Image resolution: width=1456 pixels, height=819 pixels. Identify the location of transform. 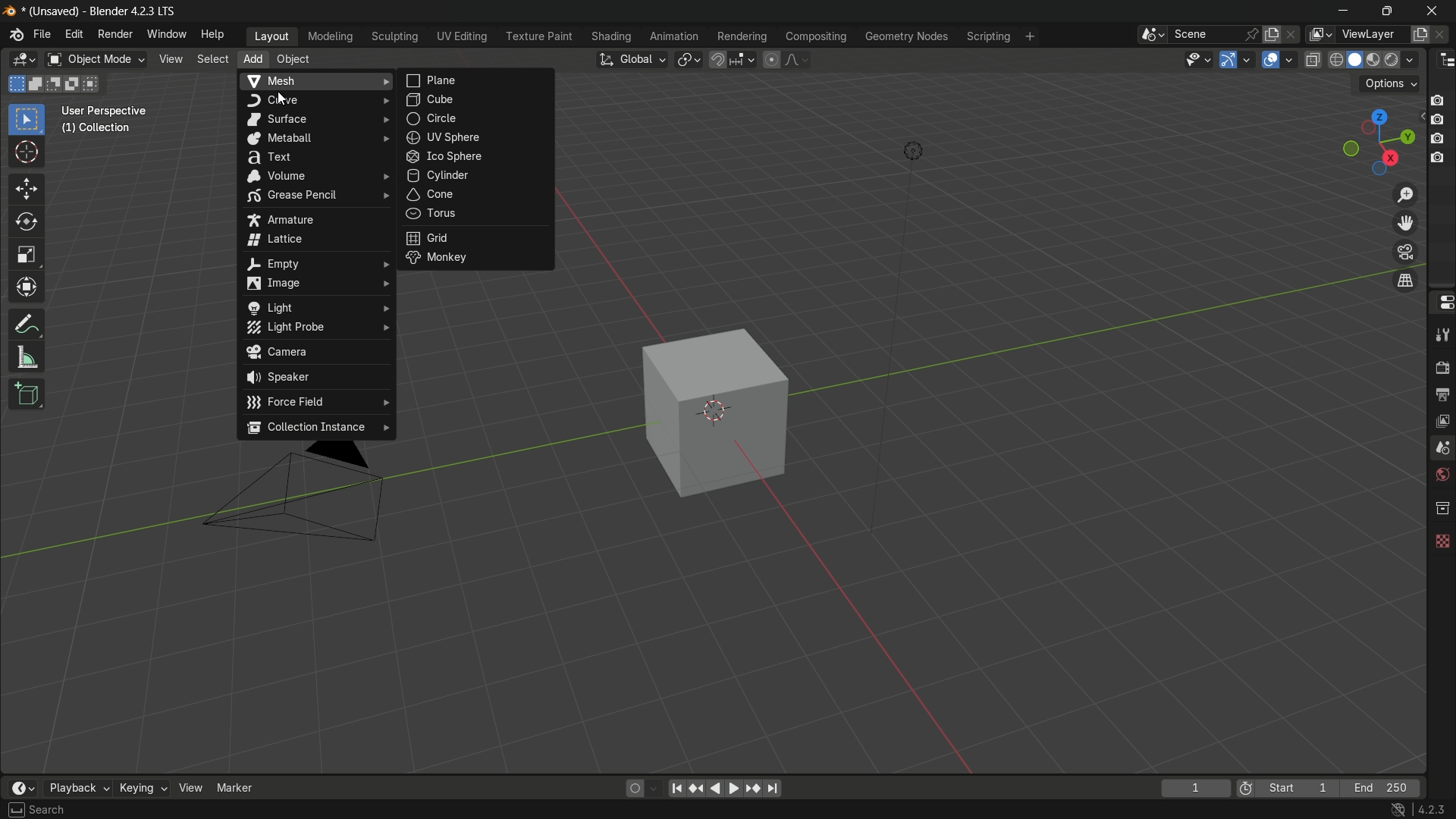
(27, 288).